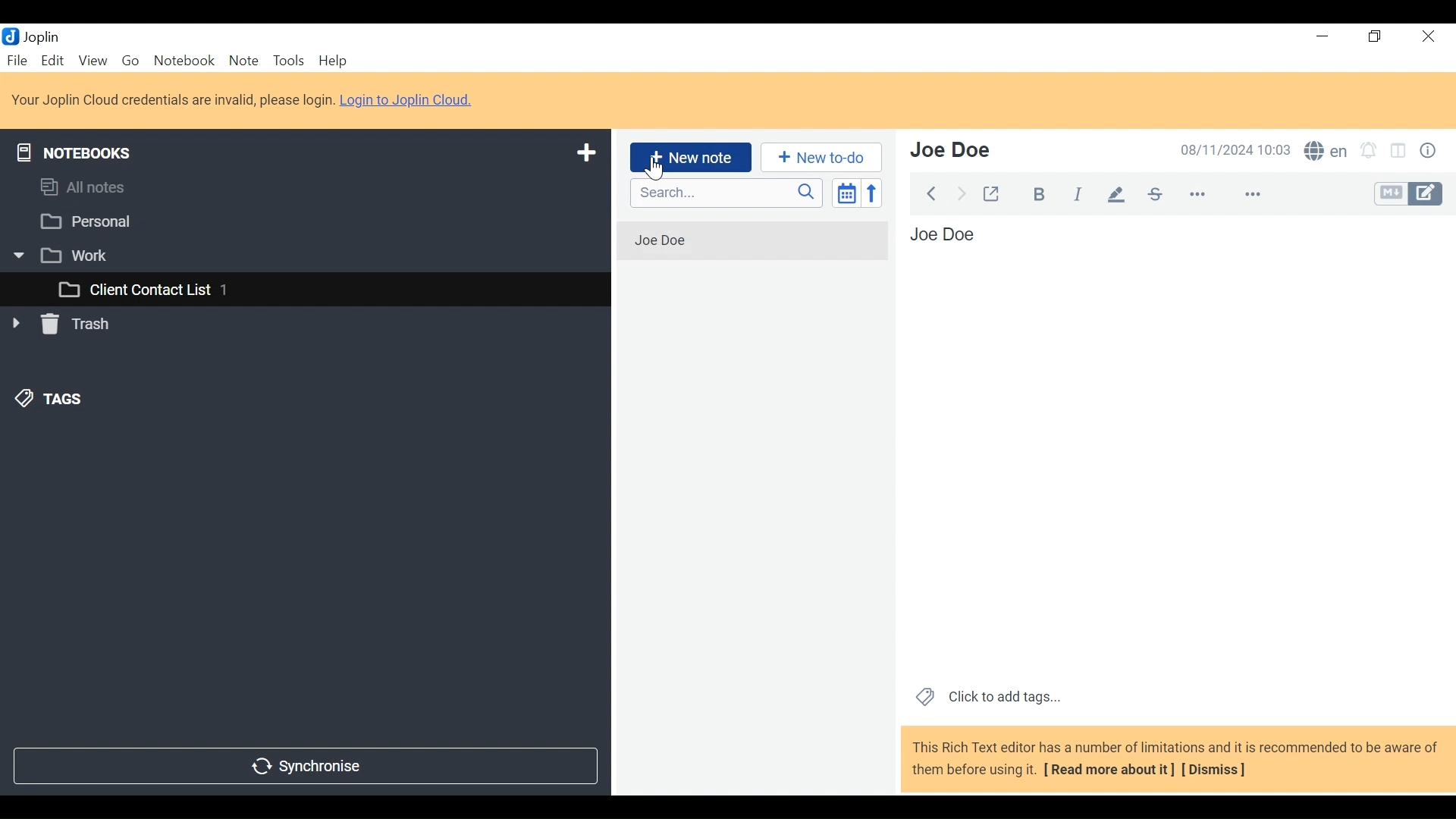  Describe the element at coordinates (183, 61) in the screenshot. I see `Notebook` at that location.